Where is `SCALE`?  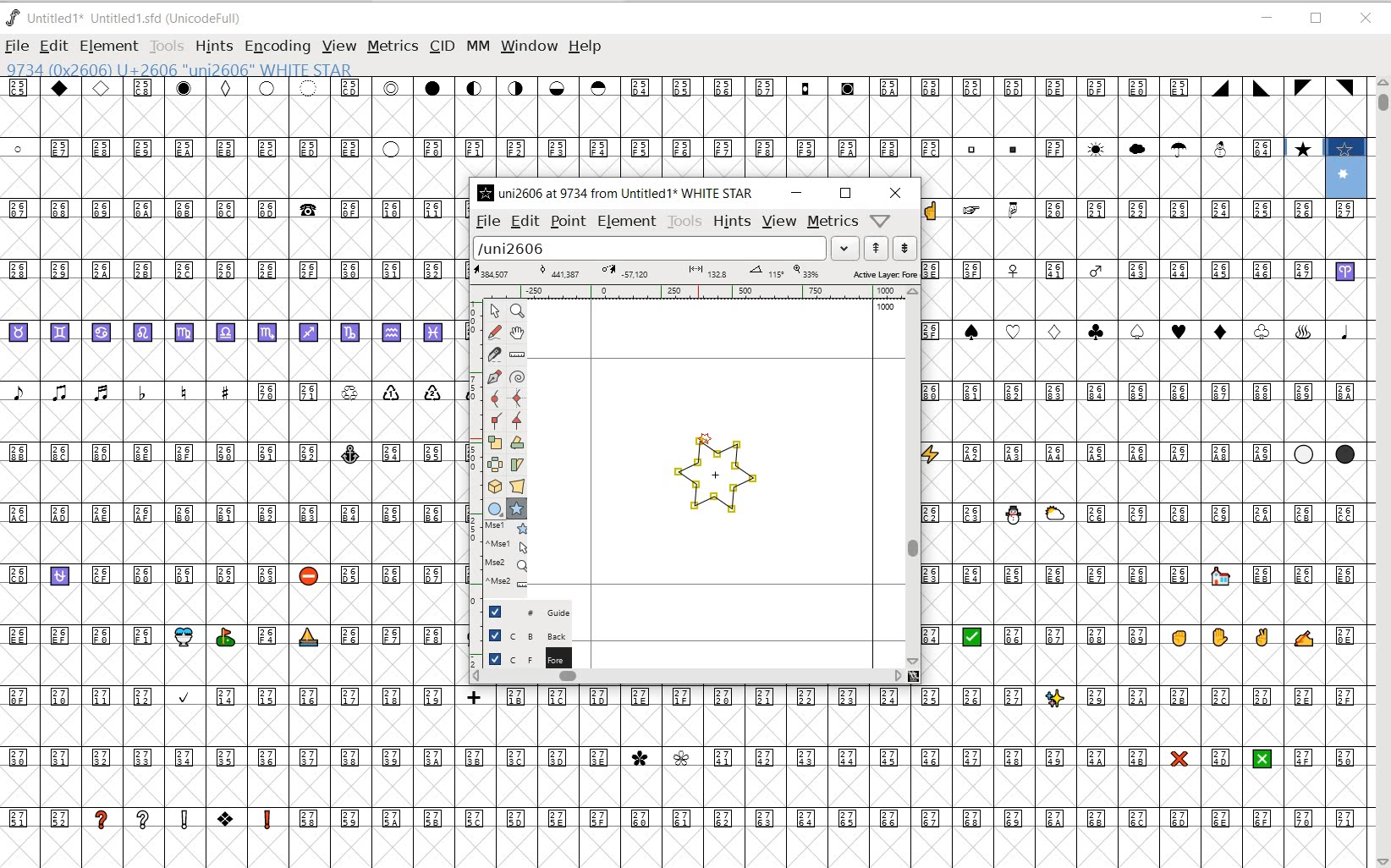 SCALE is located at coordinates (473, 447).